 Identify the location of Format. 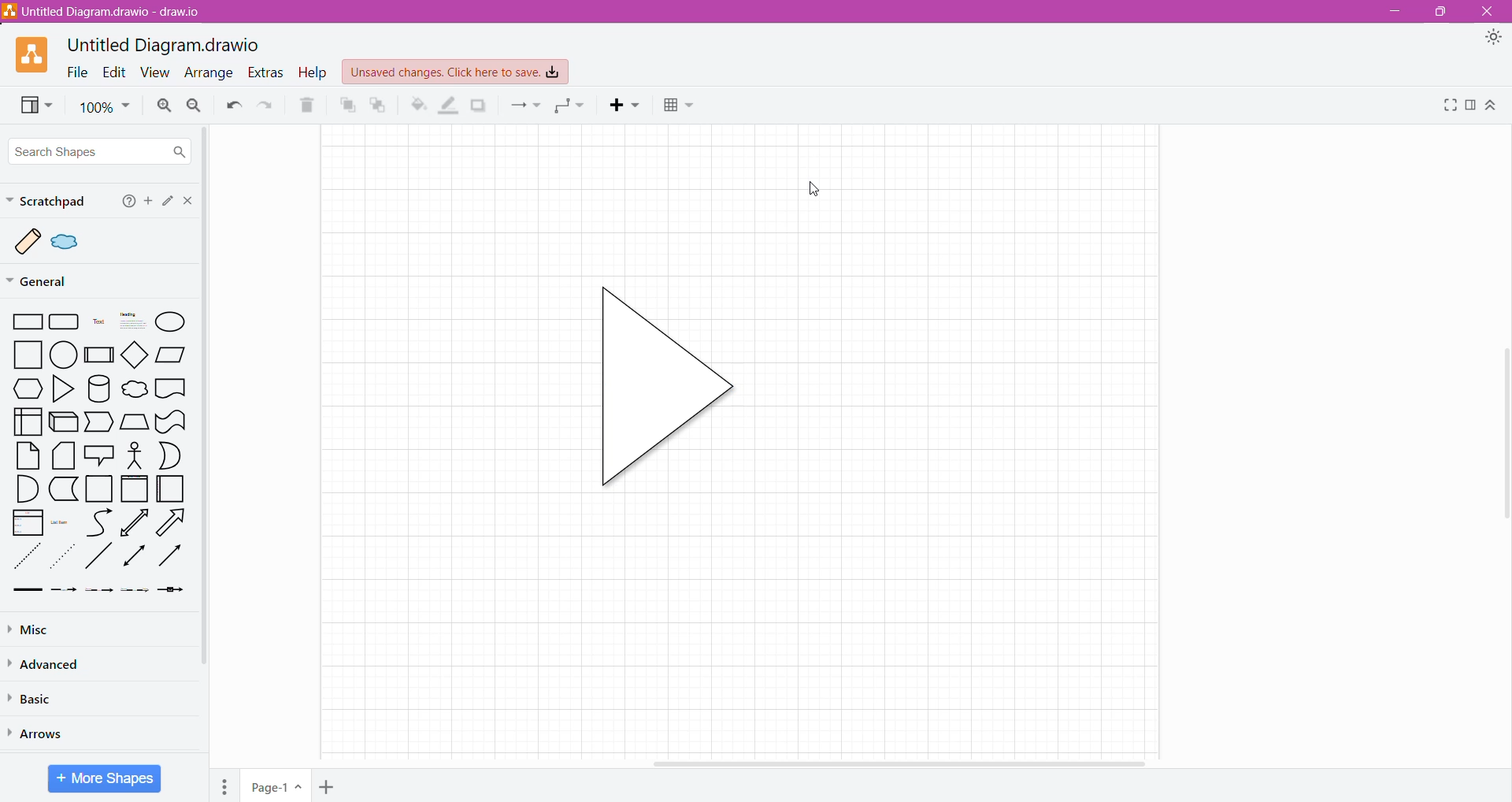
(1470, 106).